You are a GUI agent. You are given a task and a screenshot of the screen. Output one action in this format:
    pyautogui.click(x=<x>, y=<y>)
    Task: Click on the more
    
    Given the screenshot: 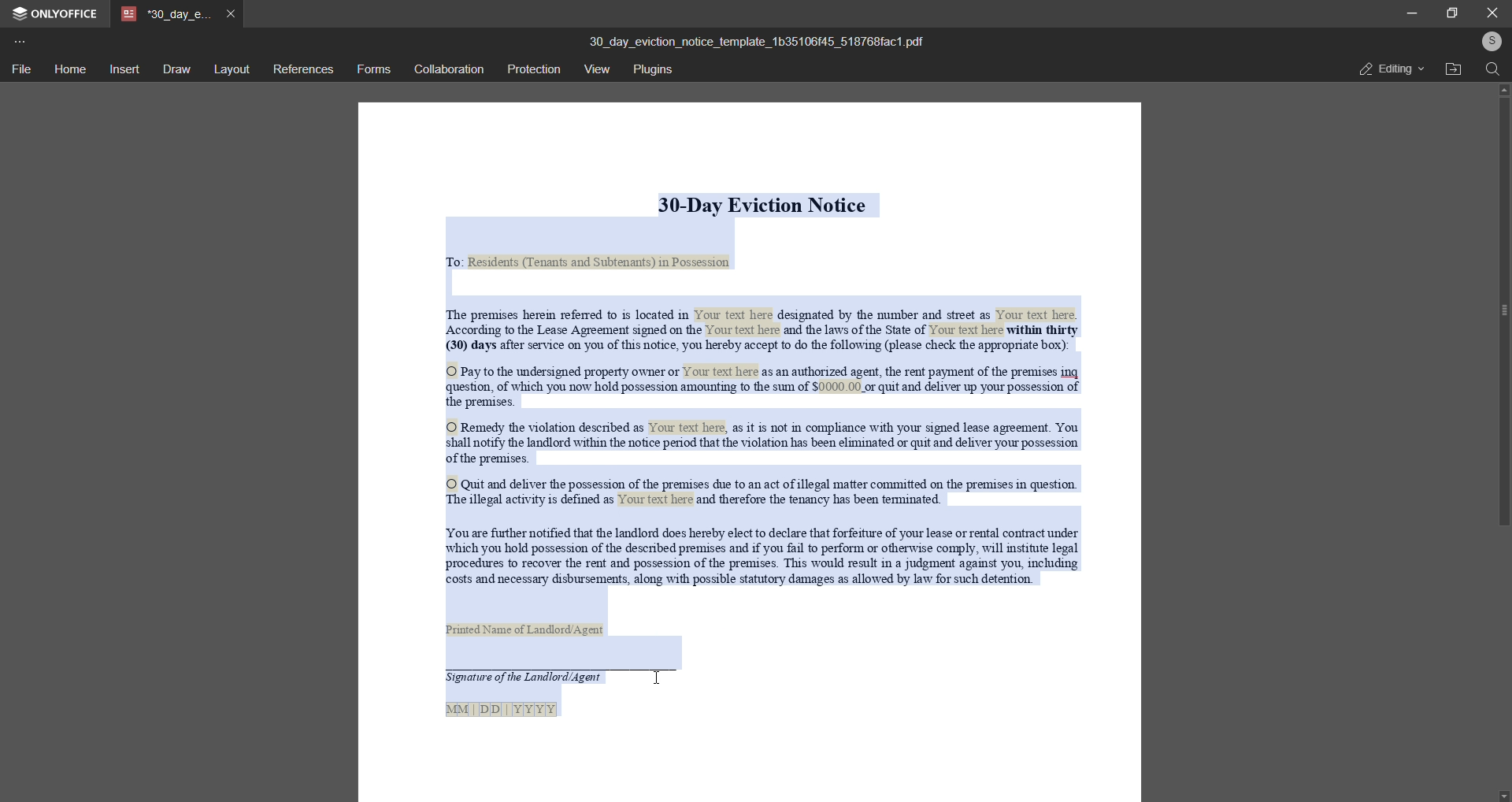 What is the action you would take?
    pyautogui.click(x=20, y=41)
    